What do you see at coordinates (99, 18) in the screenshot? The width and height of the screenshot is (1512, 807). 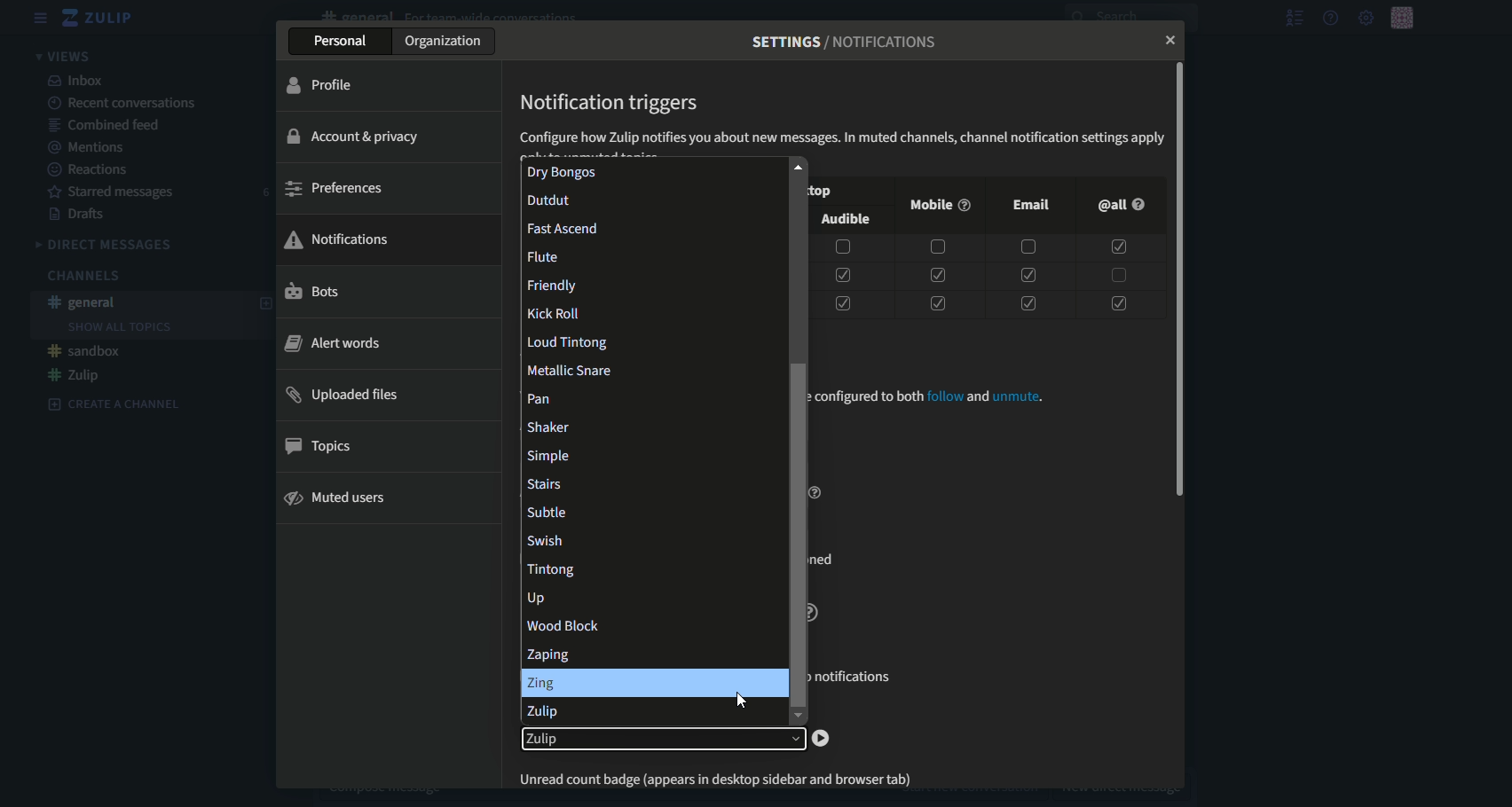 I see `logo and title` at bounding box center [99, 18].